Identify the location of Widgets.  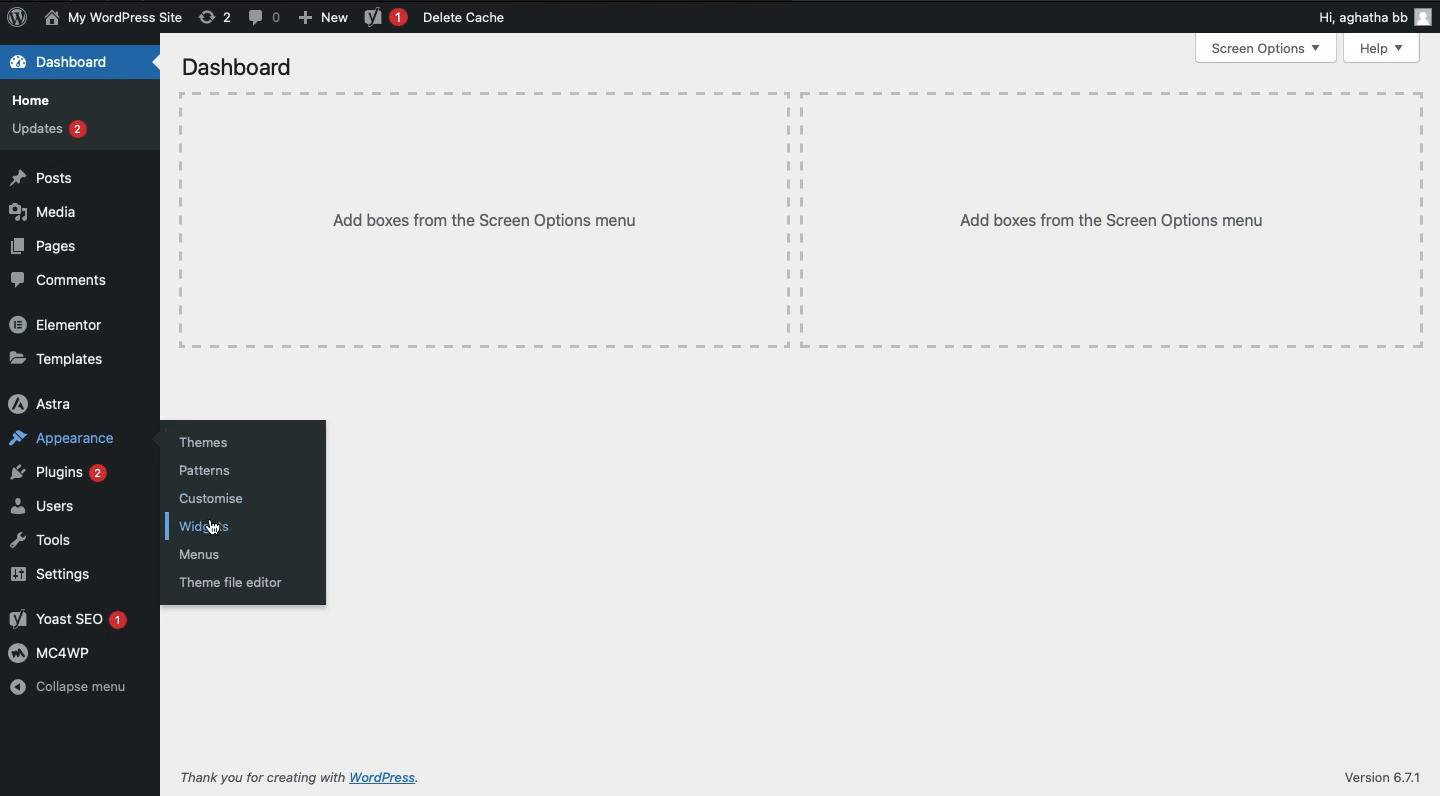
(207, 525).